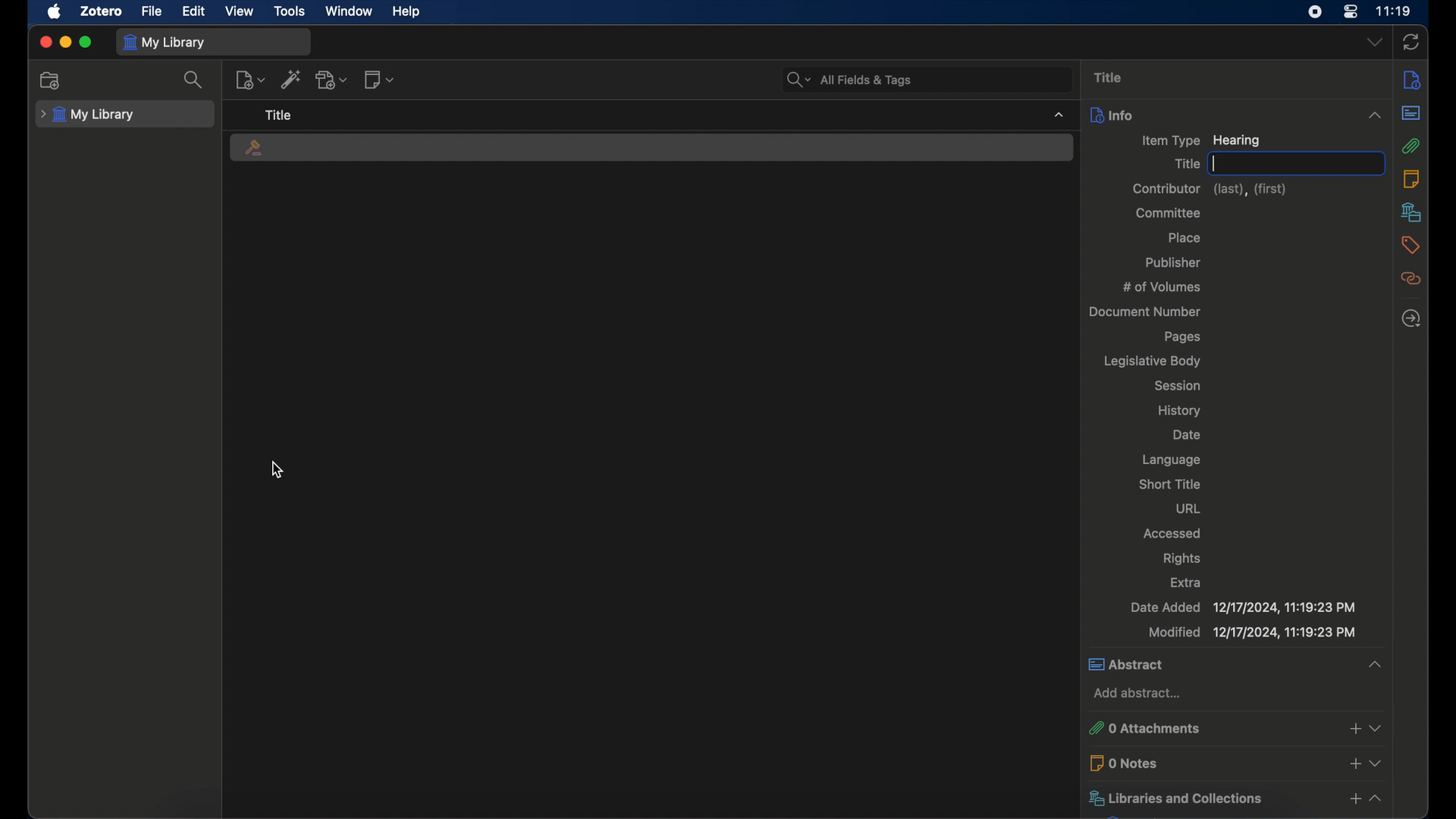 The image size is (1456, 819). What do you see at coordinates (1109, 77) in the screenshot?
I see `title` at bounding box center [1109, 77].